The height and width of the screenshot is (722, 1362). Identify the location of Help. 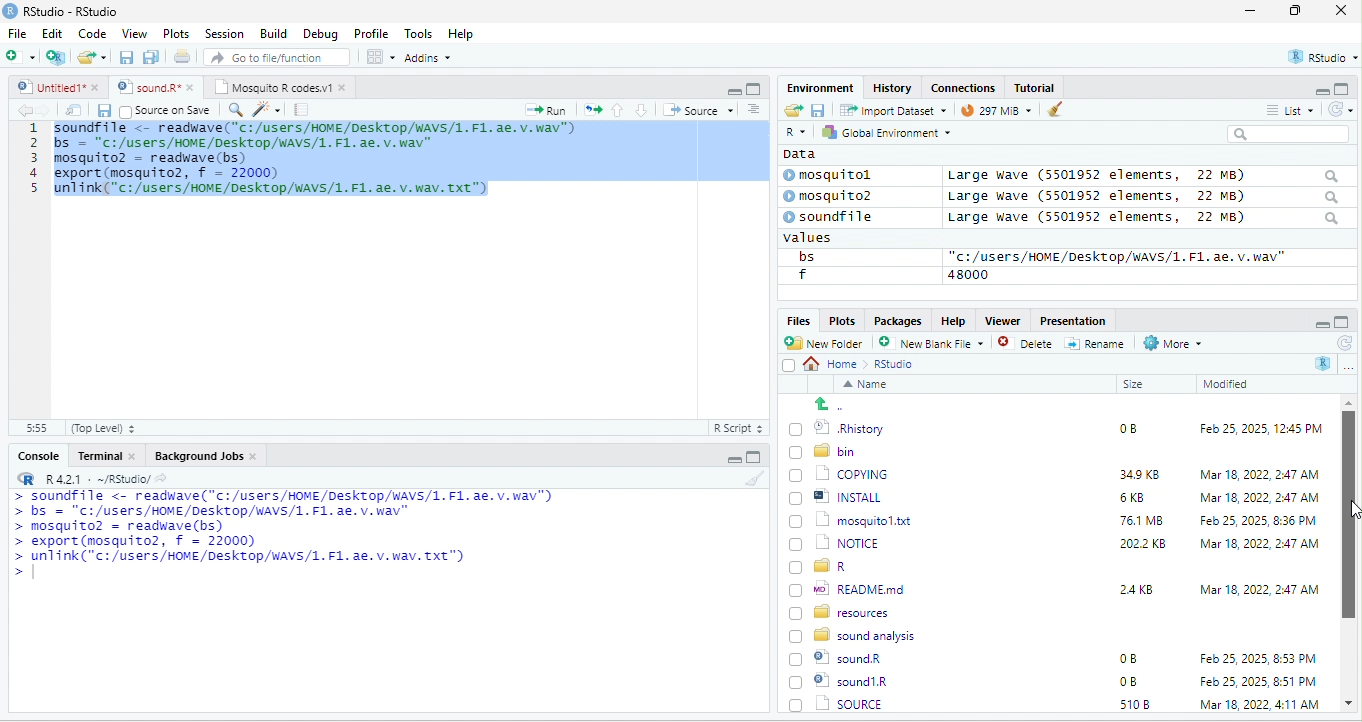
(462, 35).